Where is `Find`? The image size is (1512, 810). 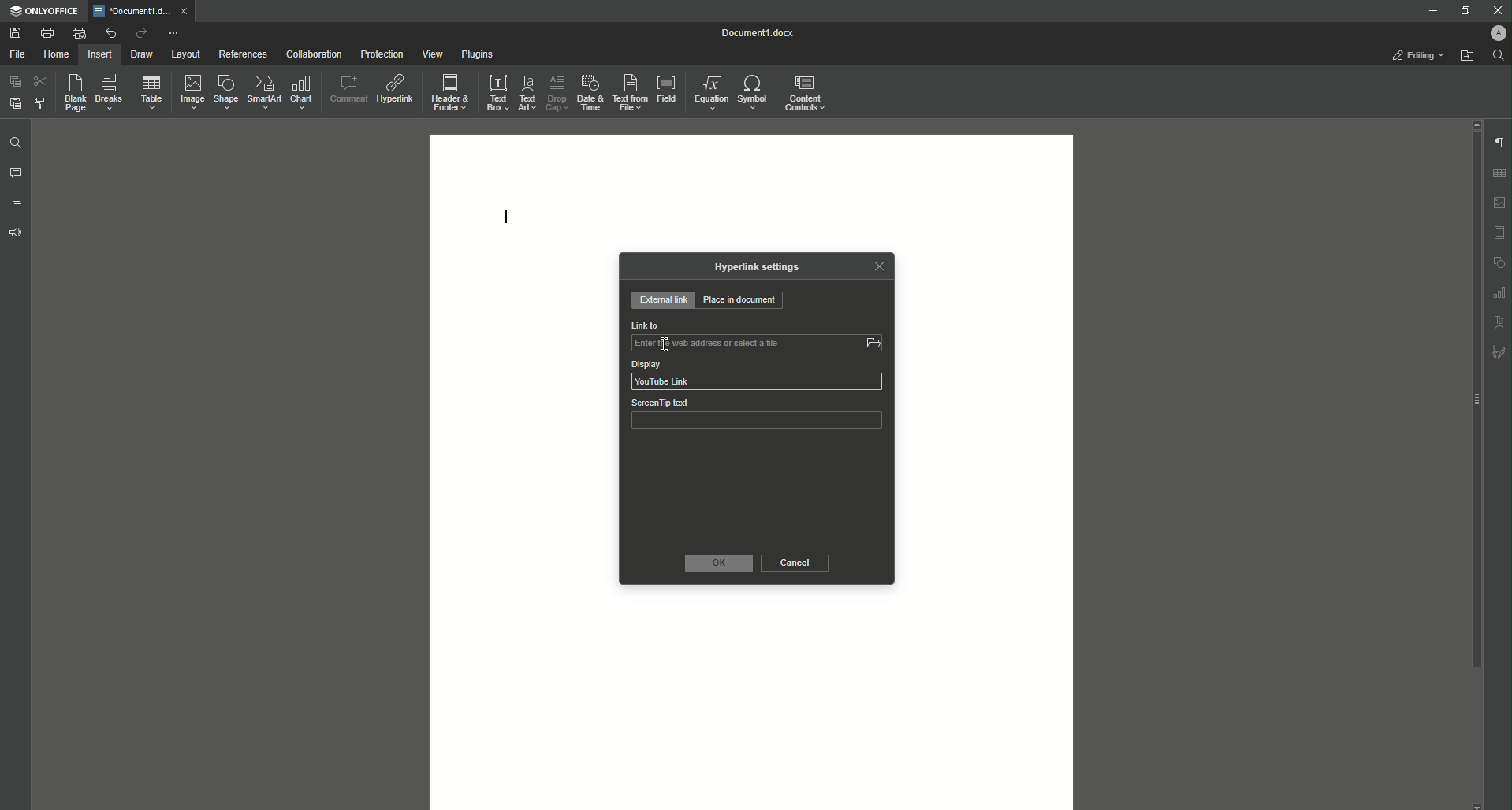
Find is located at coordinates (1499, 55).